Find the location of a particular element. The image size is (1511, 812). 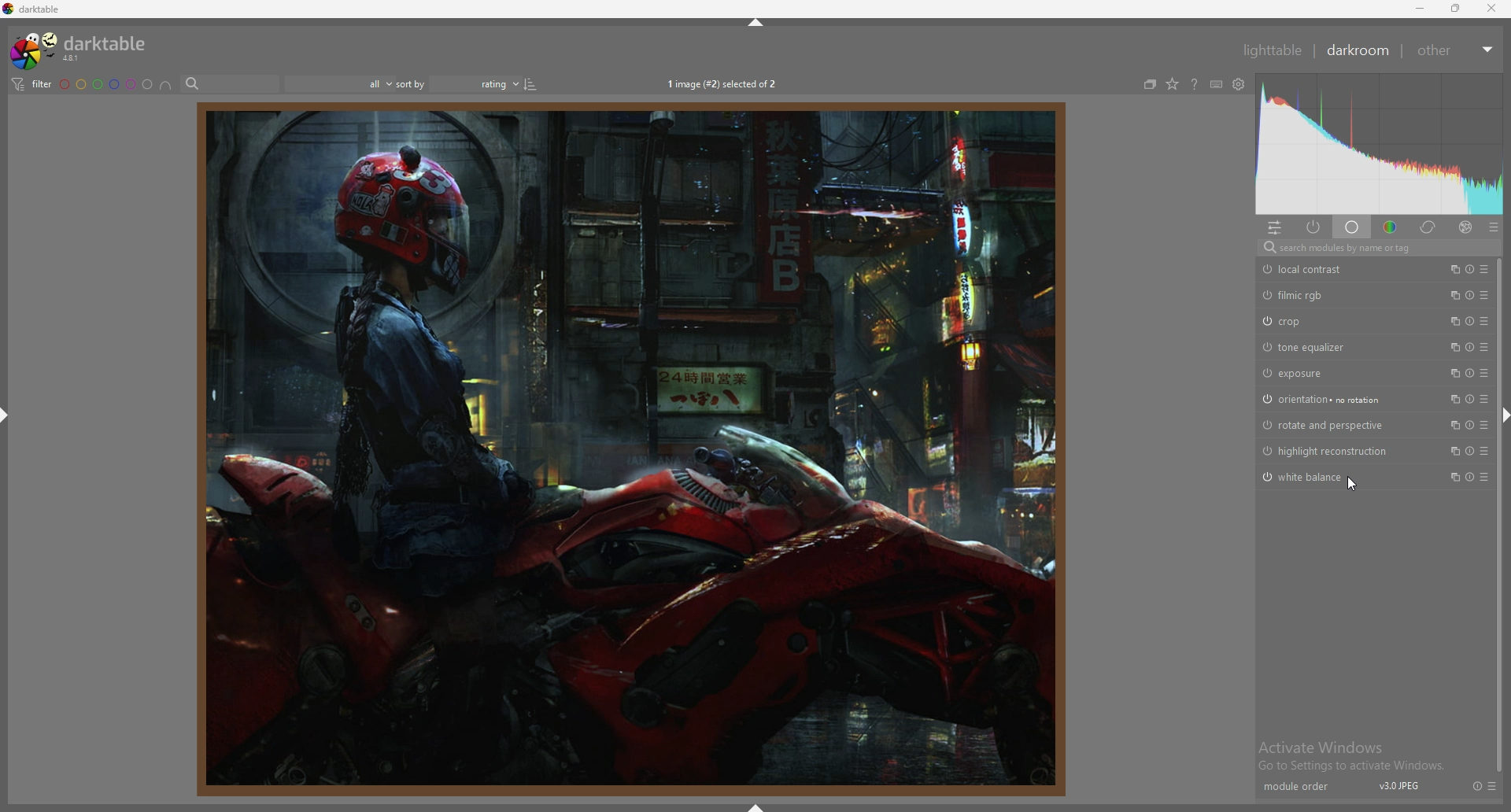

presets is located at coordinates (1484, 321).